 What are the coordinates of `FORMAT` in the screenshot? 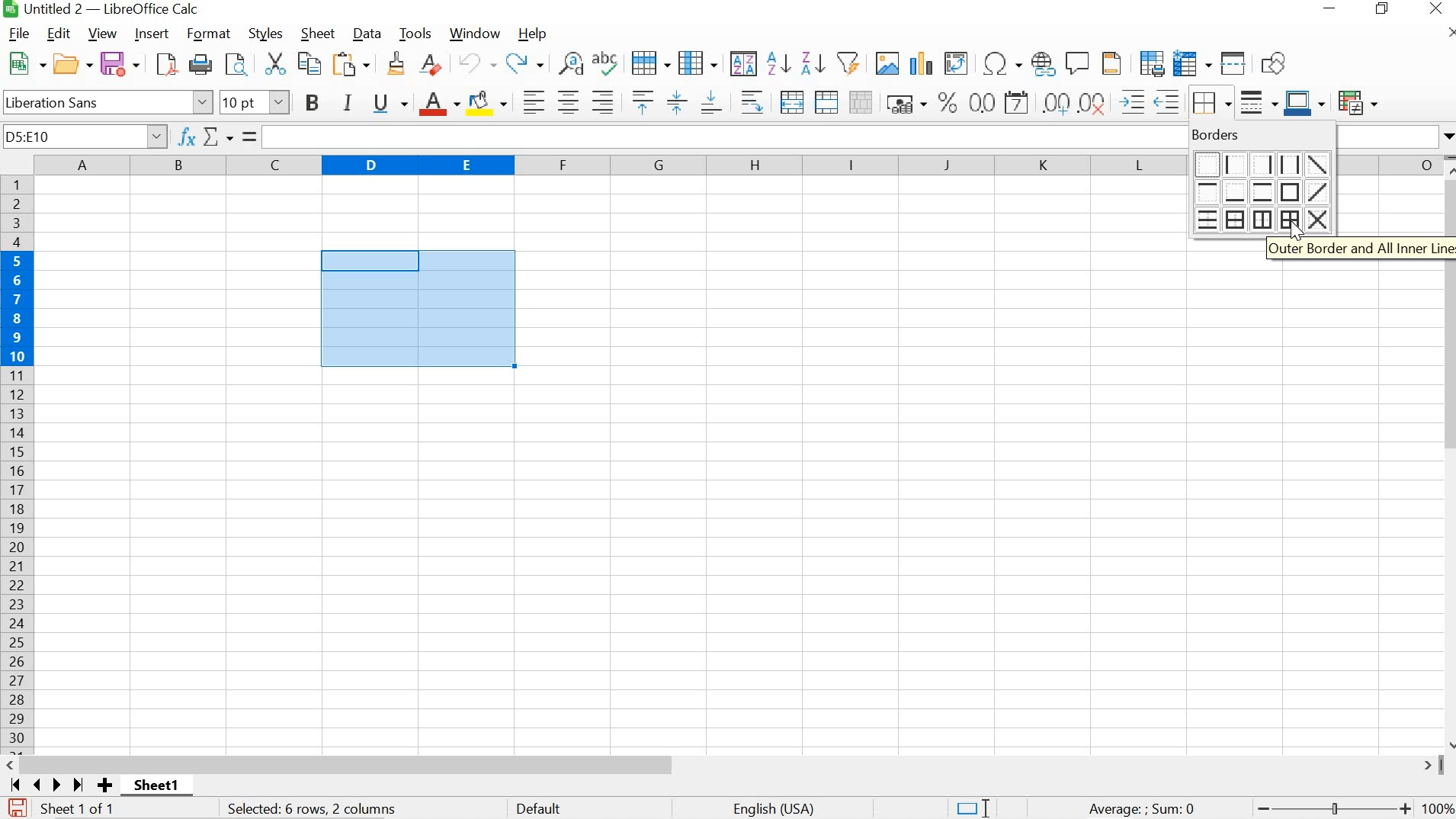 It's located at (207, 34).